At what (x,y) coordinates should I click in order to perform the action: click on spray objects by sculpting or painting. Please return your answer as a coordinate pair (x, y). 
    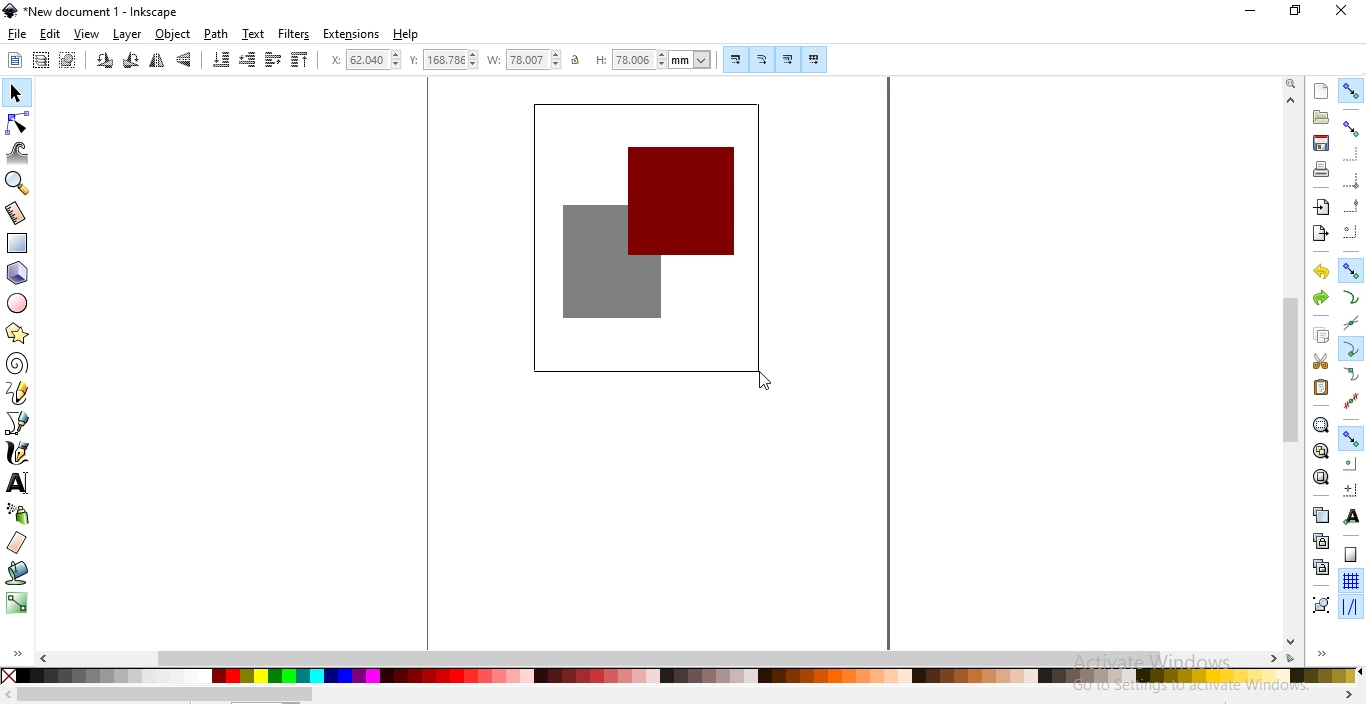
    Looking at the image, I should click on (18, 513).